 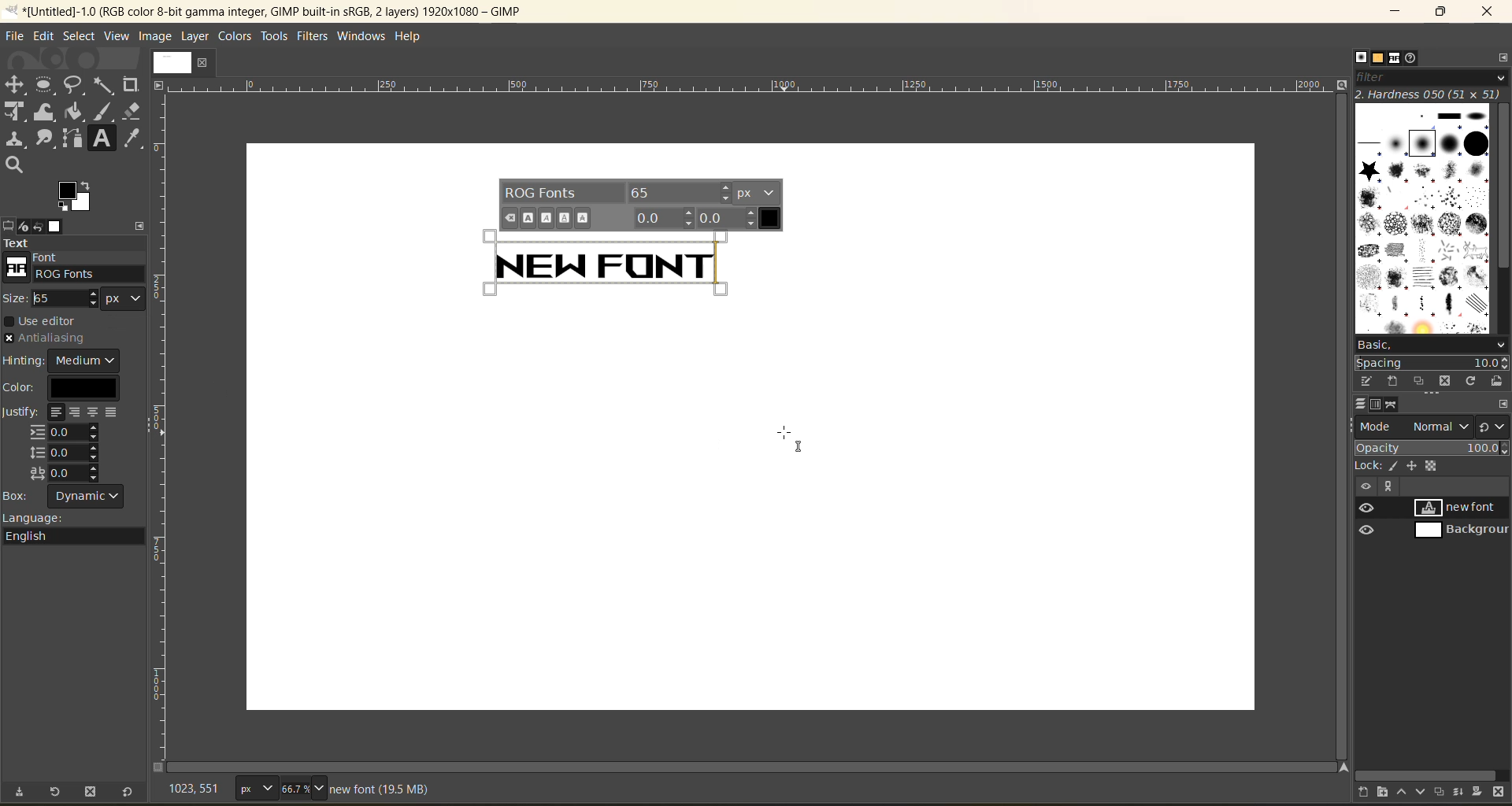 I want to click on refresh brushes, so click(x=1469, y=382).